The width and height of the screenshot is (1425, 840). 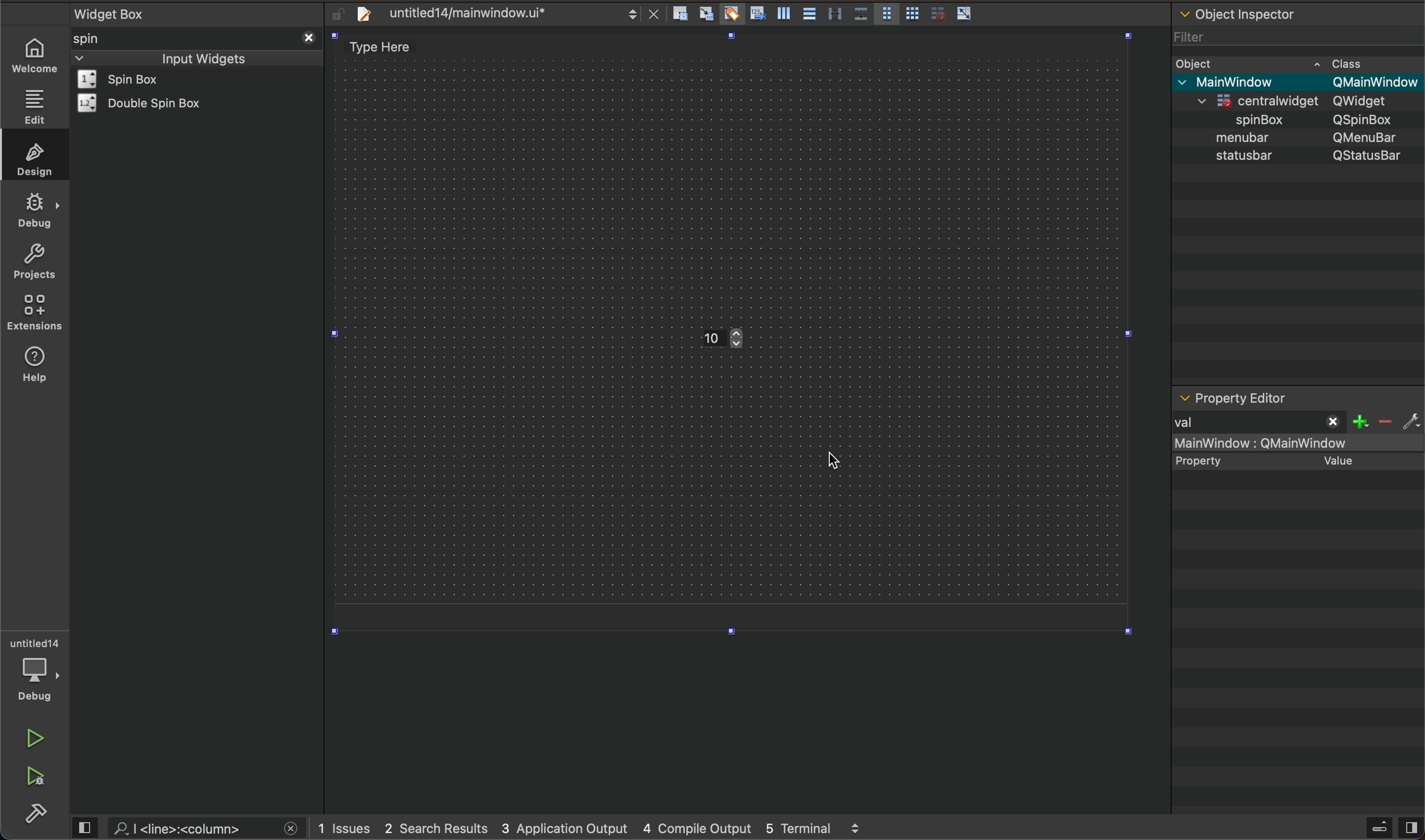 I want to click on editor, so click(x=1233, y=398).